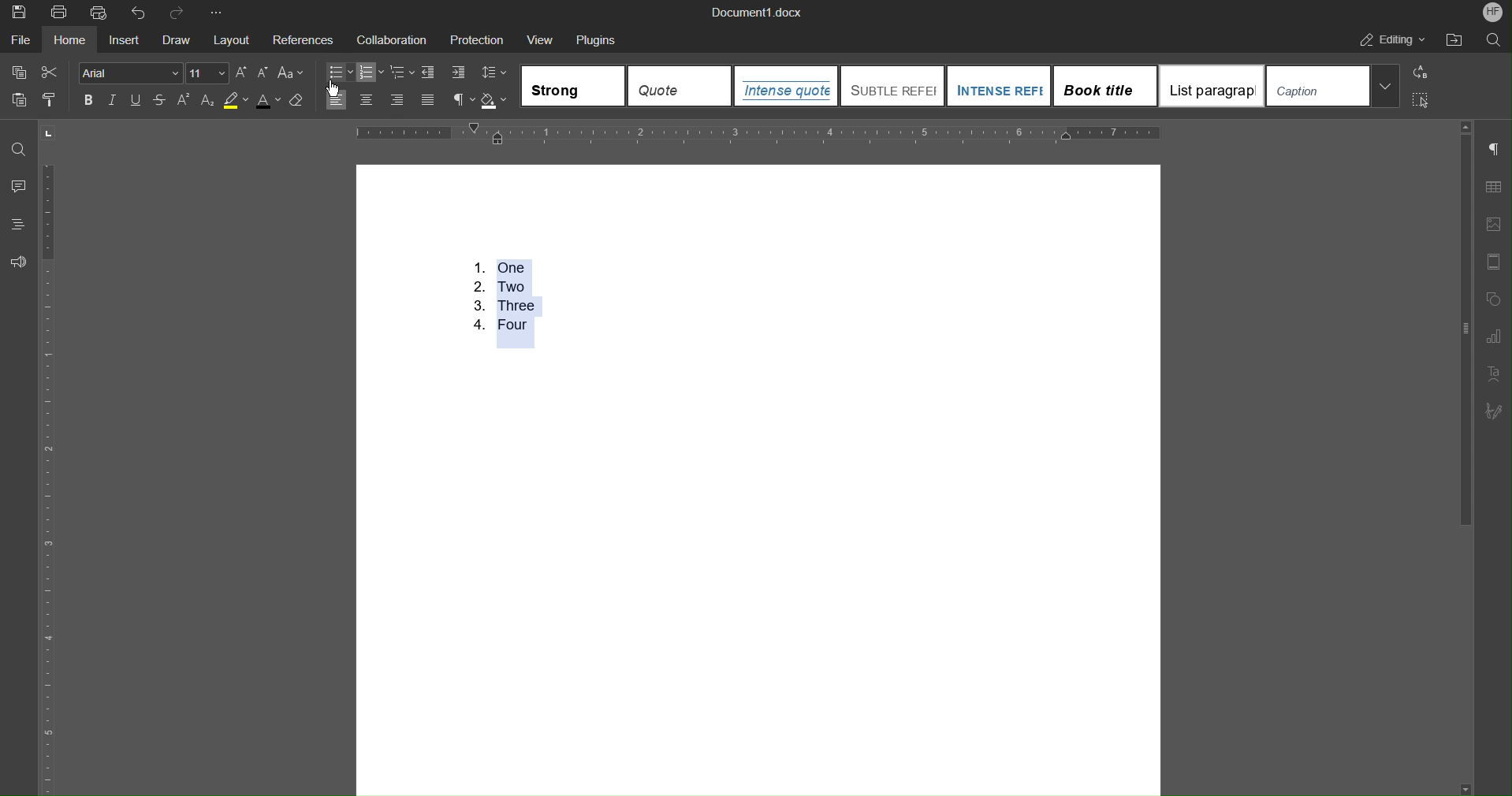 The height and width of the screenshot is (796, 1512). What do you see at coordinates (61, 11) in the screenshot?
I see `Print` at bounding box center [61, 11].